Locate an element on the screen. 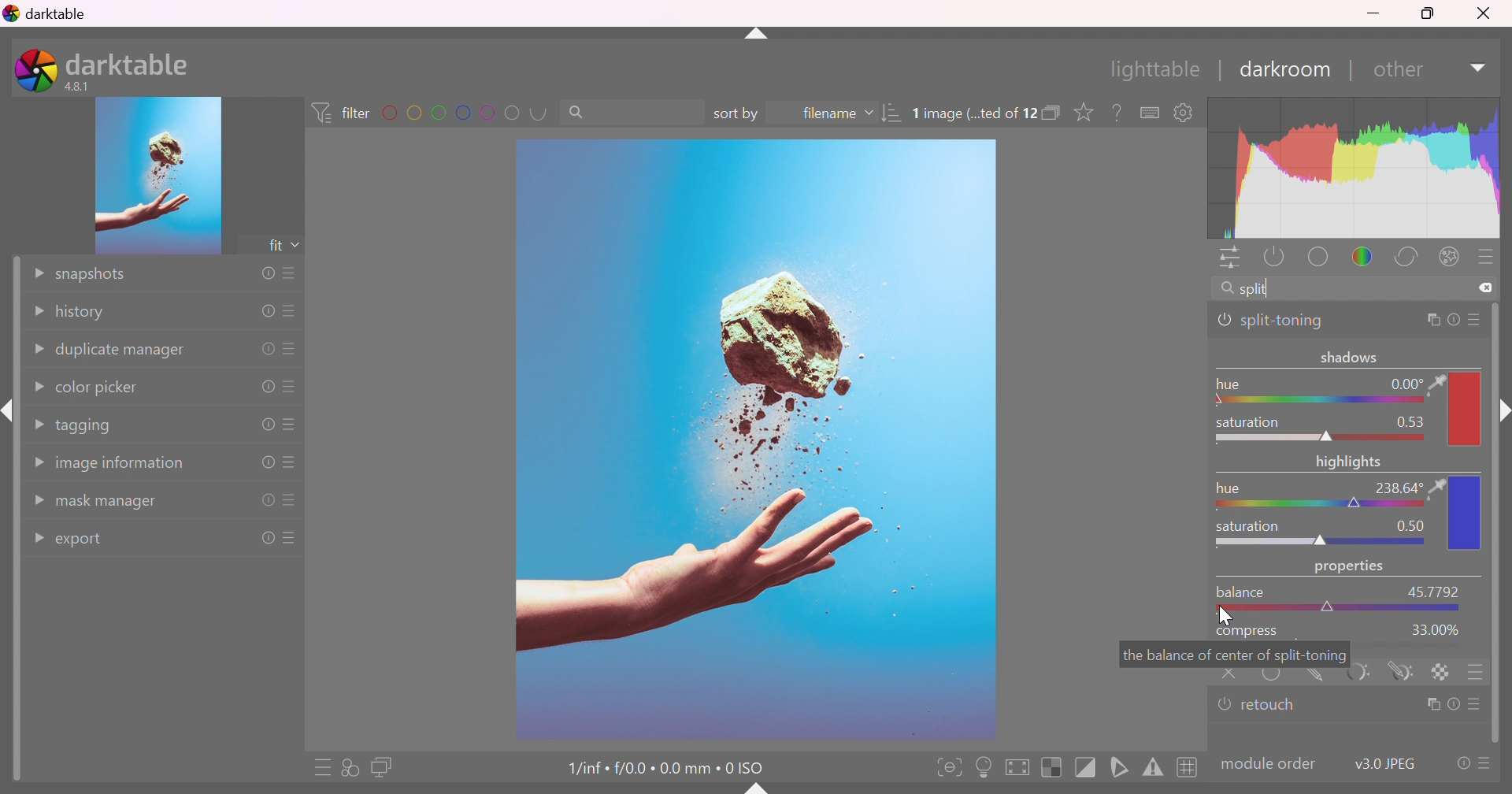 The height and width of the screenshot is (794, 1512). reset is located at coordinates (267, 311).